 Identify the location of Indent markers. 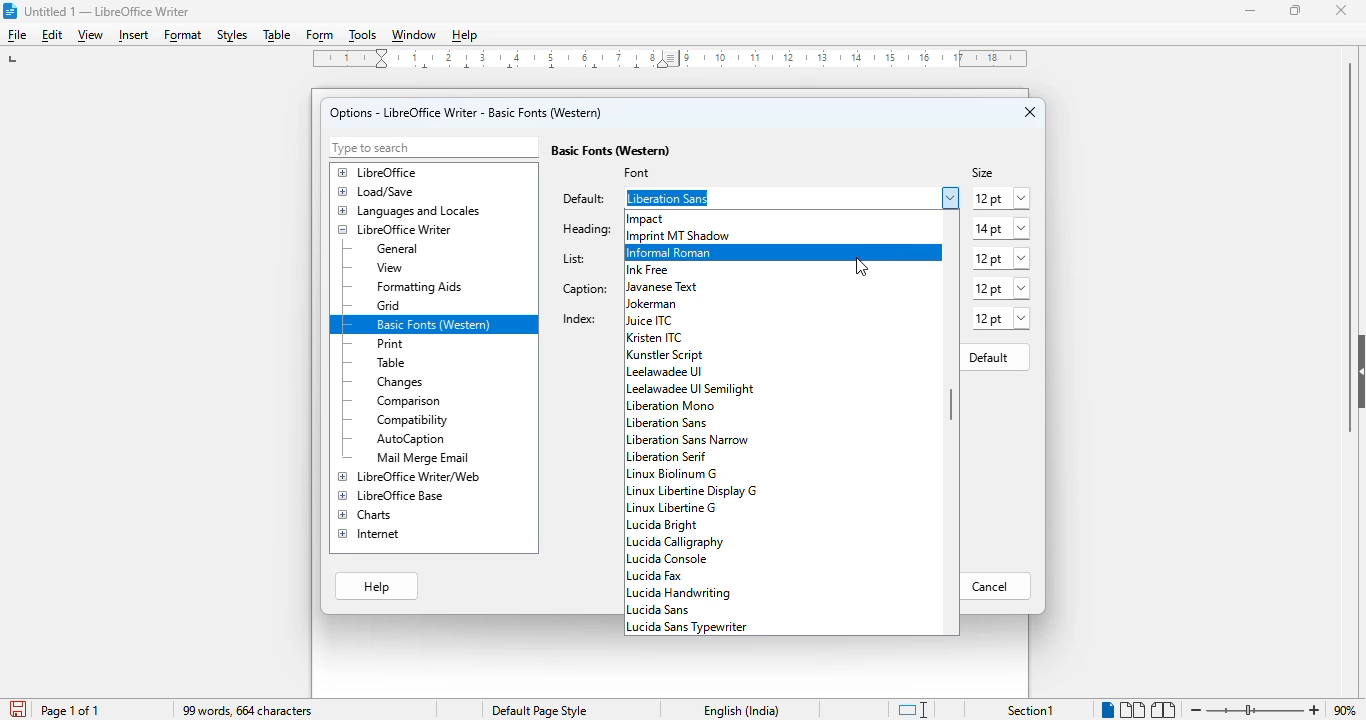
(382, 58).